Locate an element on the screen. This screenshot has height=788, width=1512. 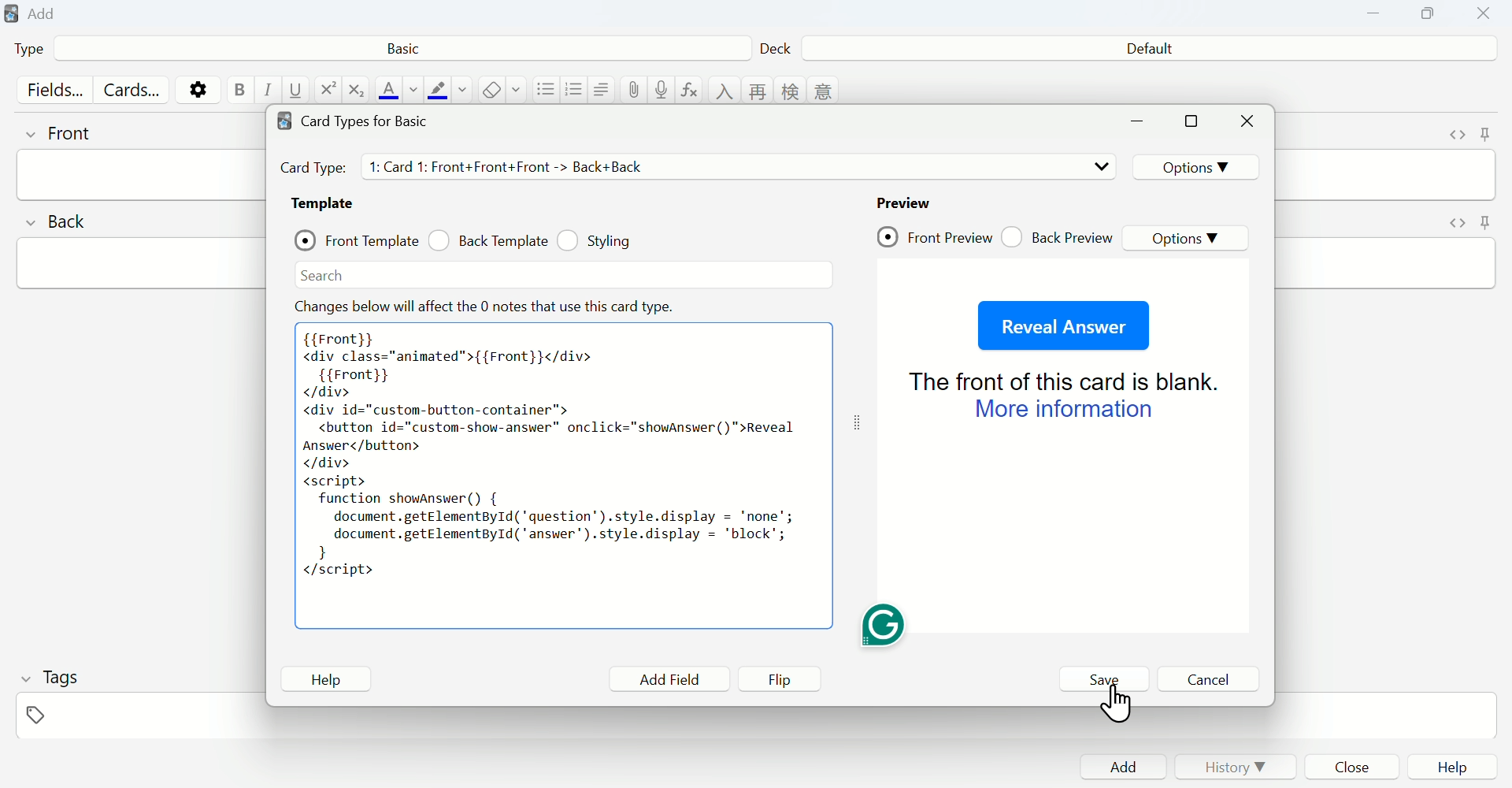
Minimize is located at coordinates (1380, 17).